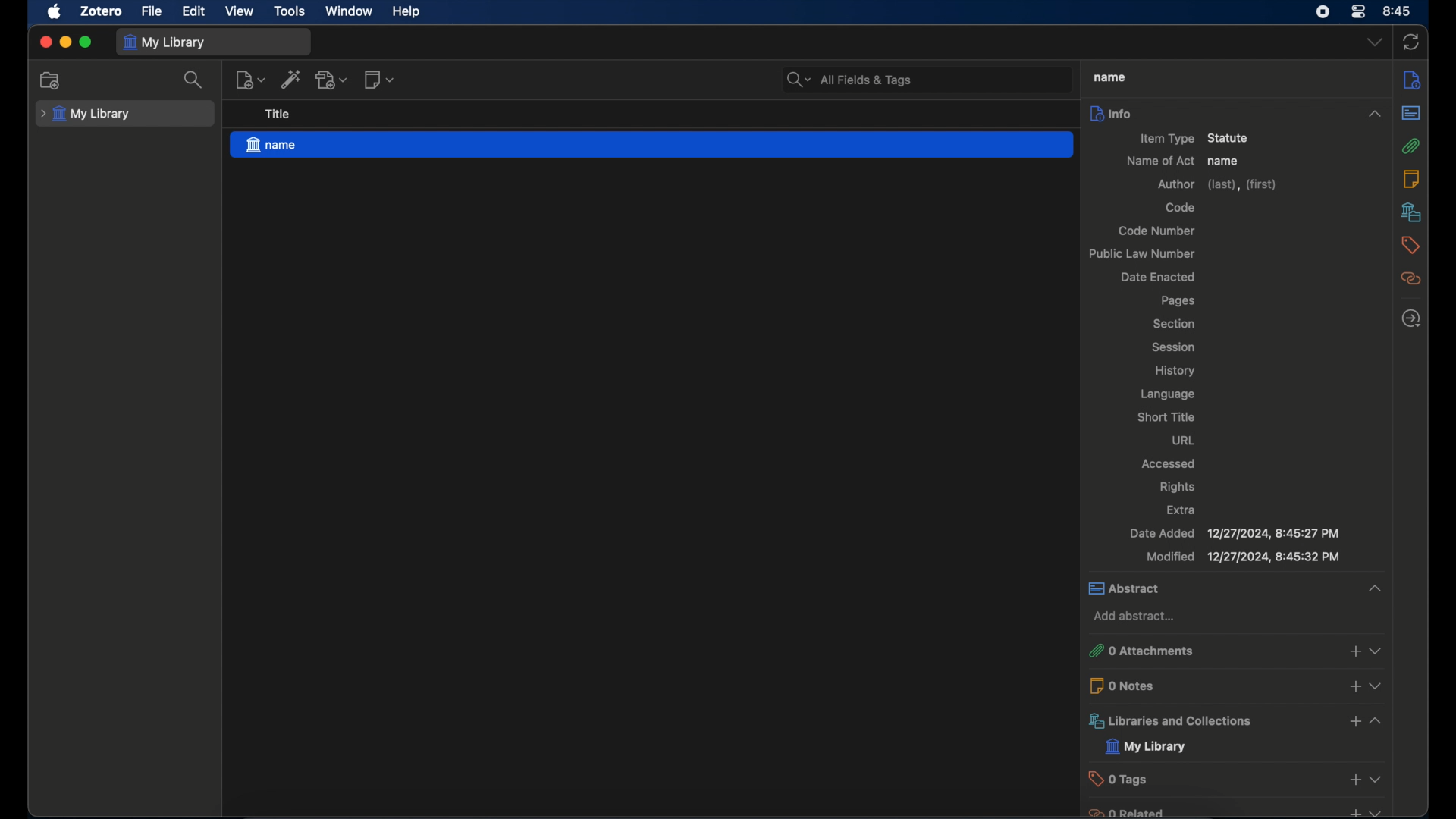  Describe the element at coordinates (99, 11) in the screenshot. I see `zotero` at that location.